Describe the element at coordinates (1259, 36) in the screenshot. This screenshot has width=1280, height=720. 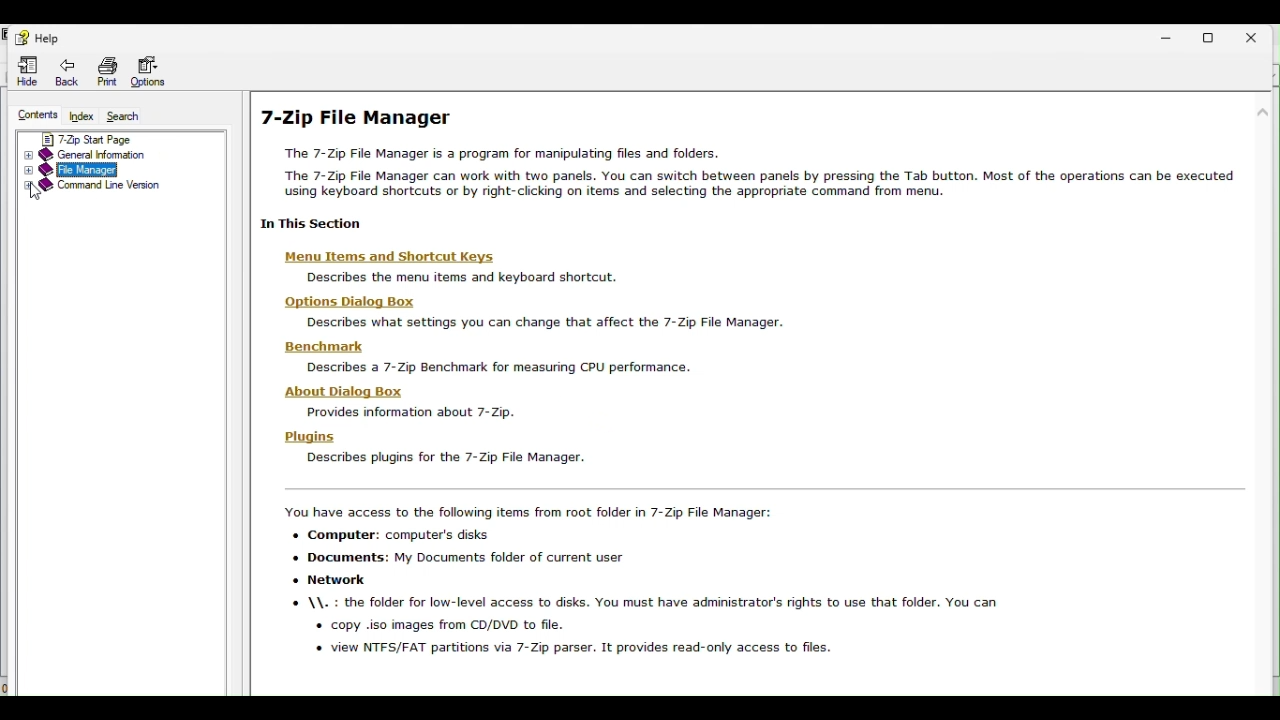
I see `Close ` at that location.